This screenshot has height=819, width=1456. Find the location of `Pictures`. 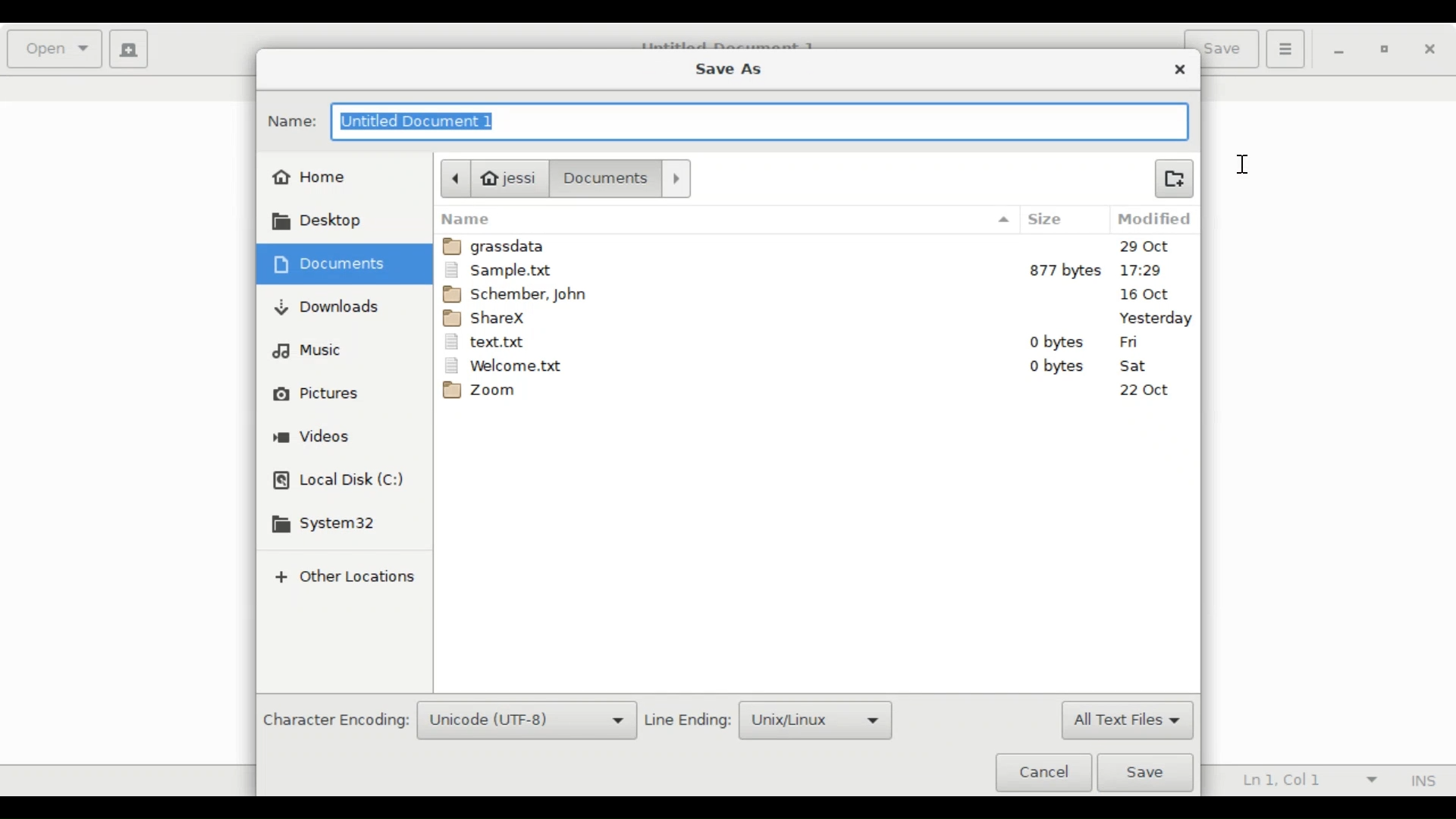

Pictures is located at coordinates (317, 394).